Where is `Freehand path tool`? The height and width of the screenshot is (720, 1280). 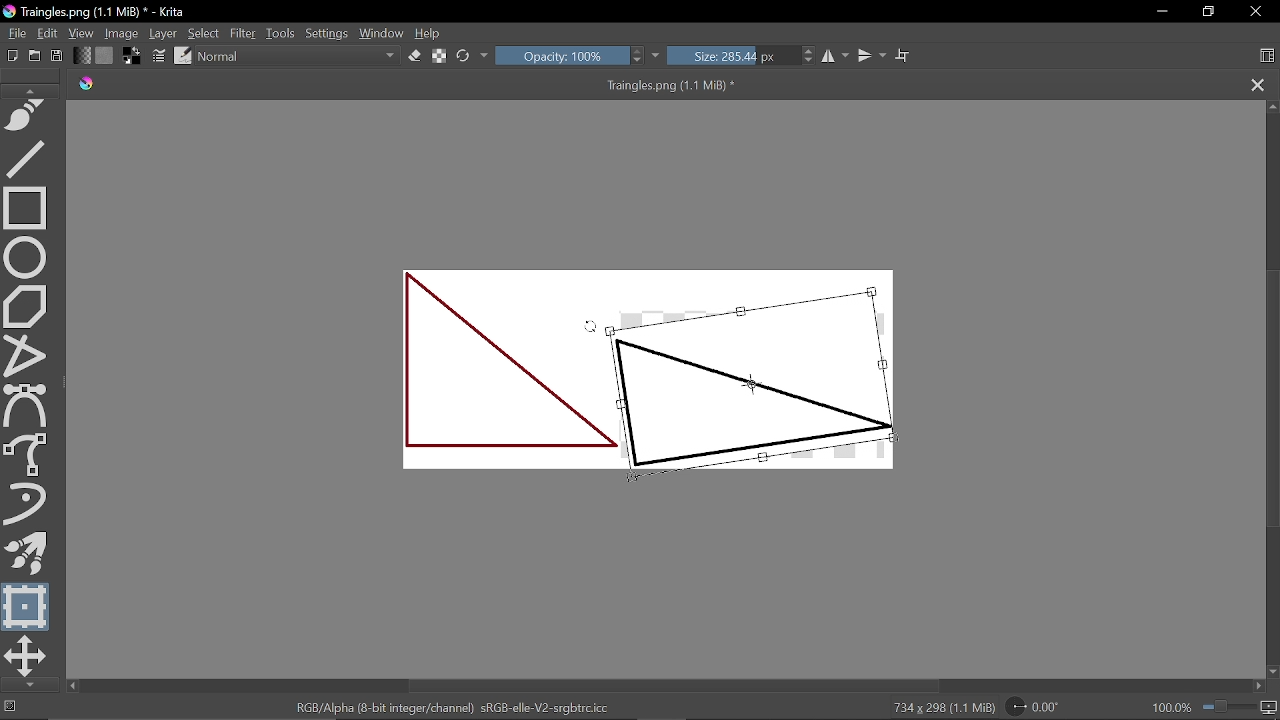
Freehand path tool is located at coordinates (29, 117).